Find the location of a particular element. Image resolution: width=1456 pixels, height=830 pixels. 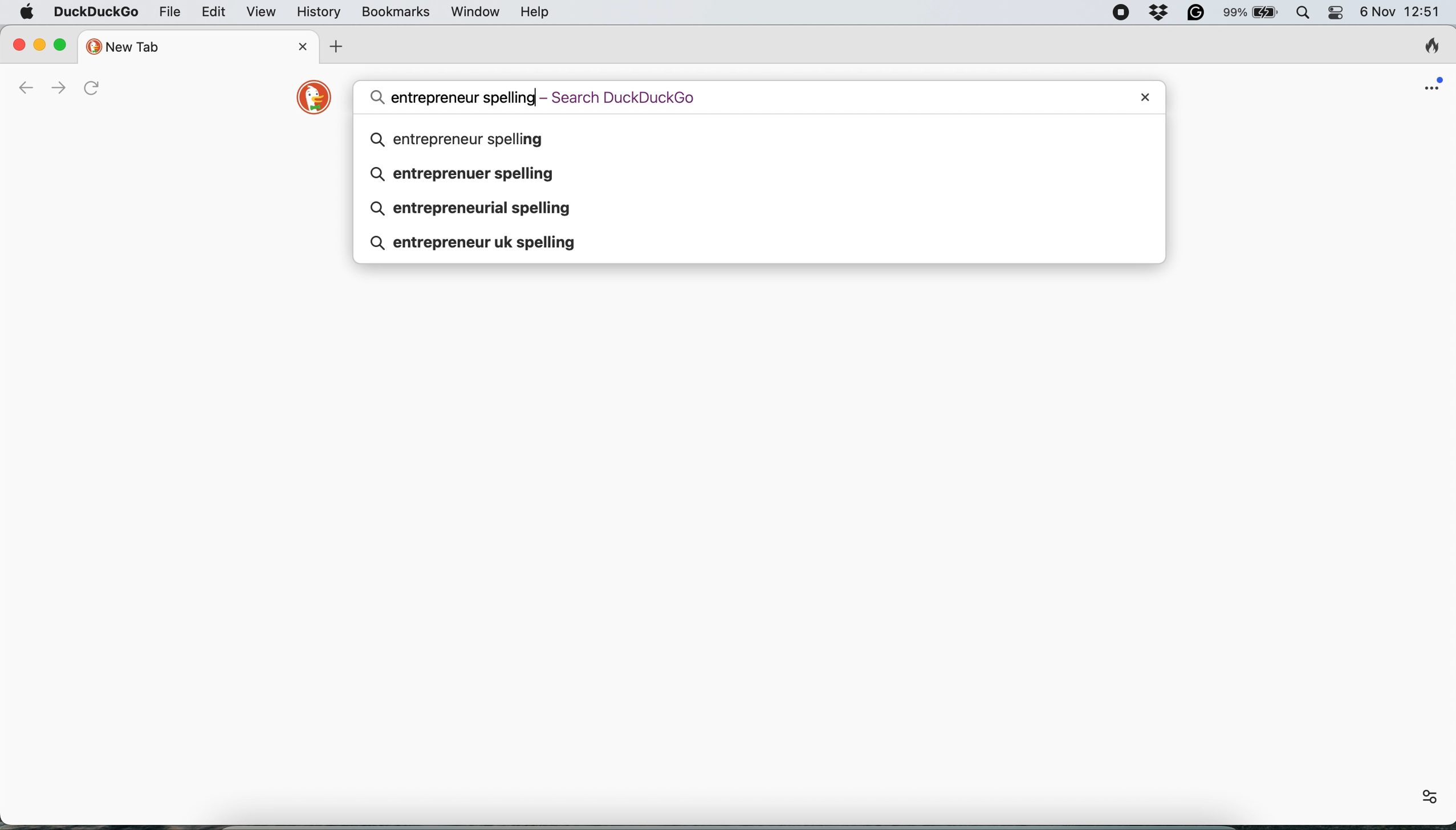

refresh is located at coordinates (92, 89).